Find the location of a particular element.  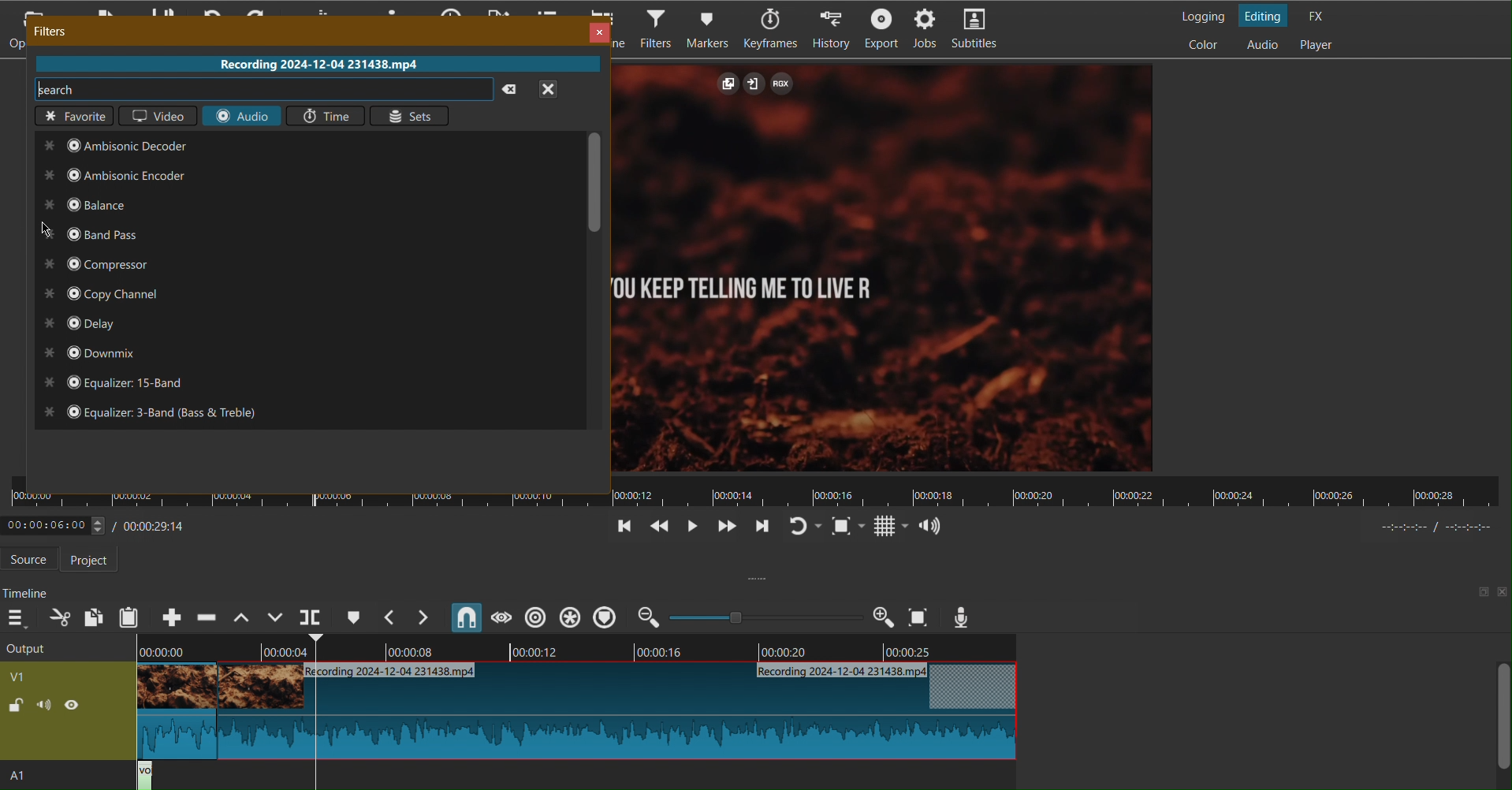

Ripple is located at coordinates (569, 617).